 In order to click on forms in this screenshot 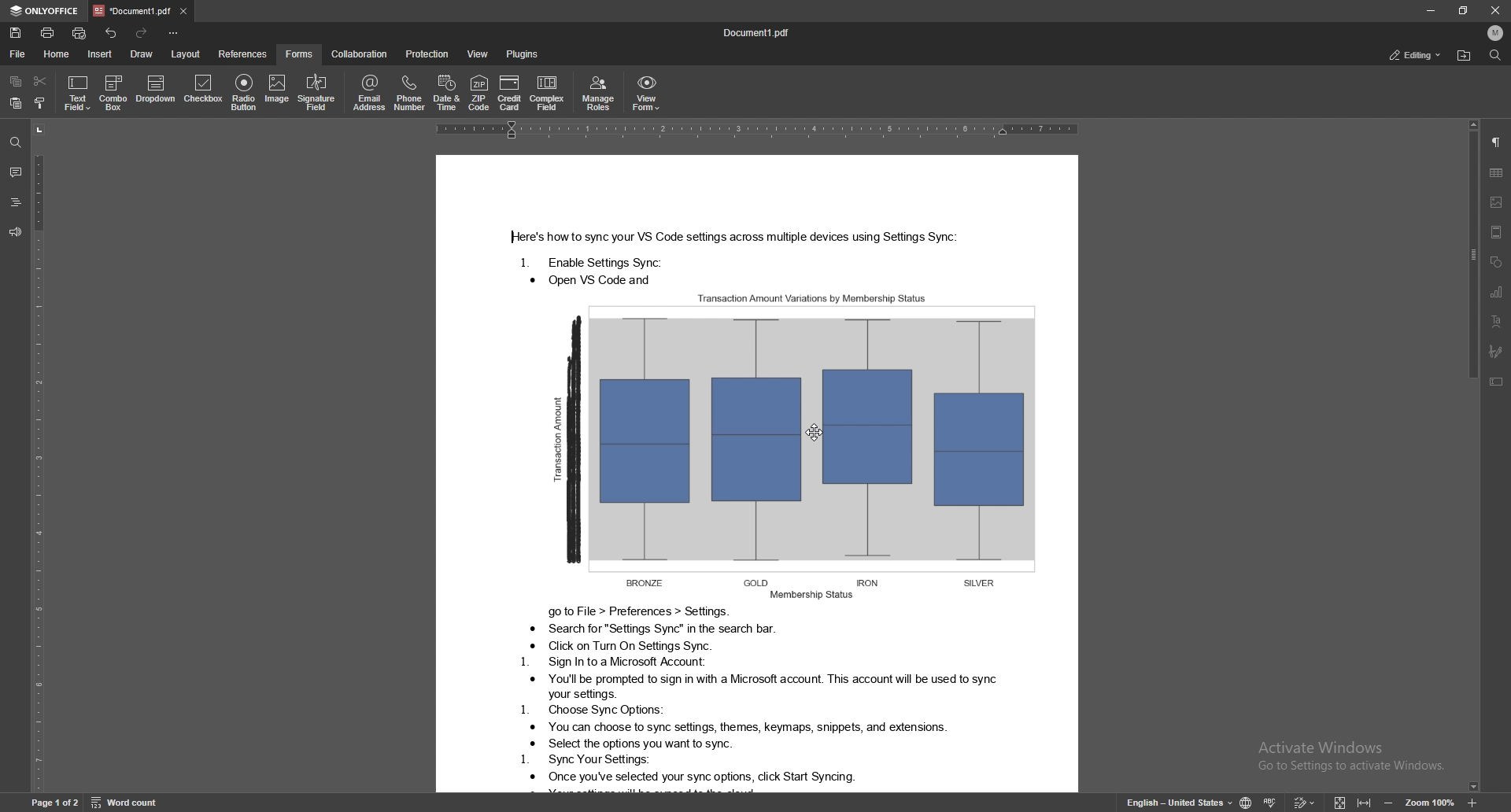, I will do `click(299, 54)`.